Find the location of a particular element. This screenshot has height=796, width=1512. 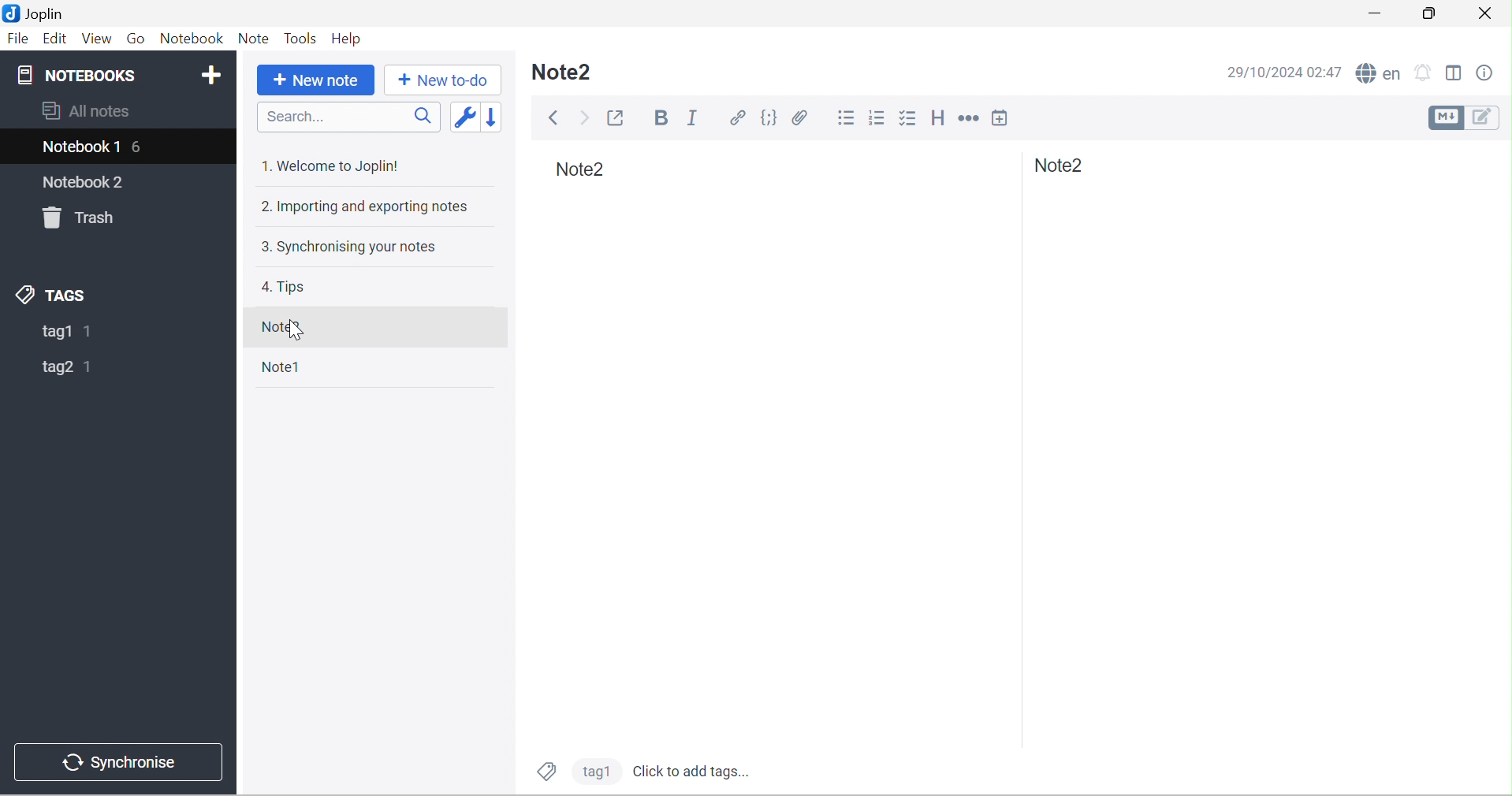

Notebook1 is located at coordinates (78, 147).